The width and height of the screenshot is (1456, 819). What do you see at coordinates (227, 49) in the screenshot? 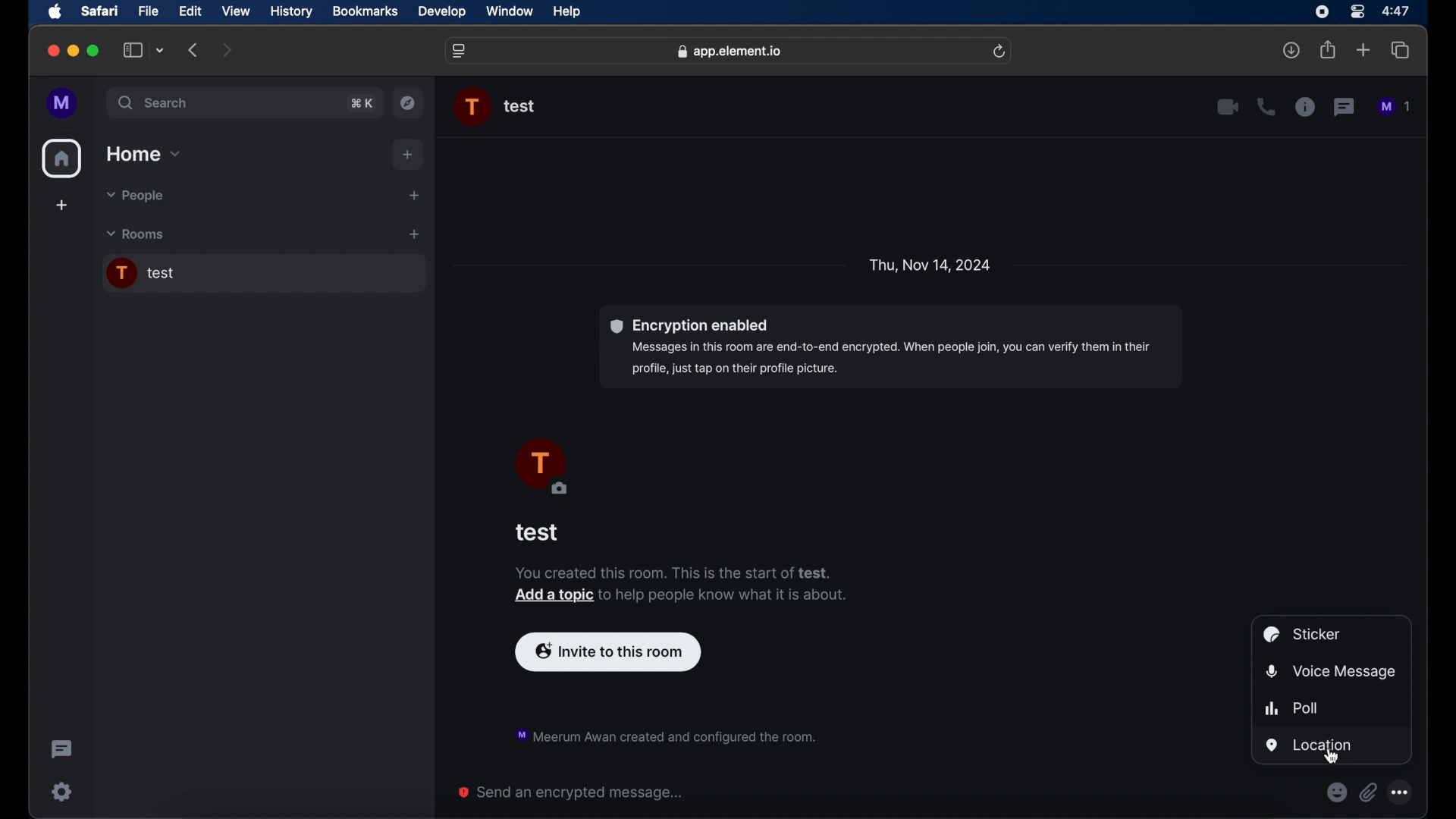
I see `next` at bounding box center [227, 49].